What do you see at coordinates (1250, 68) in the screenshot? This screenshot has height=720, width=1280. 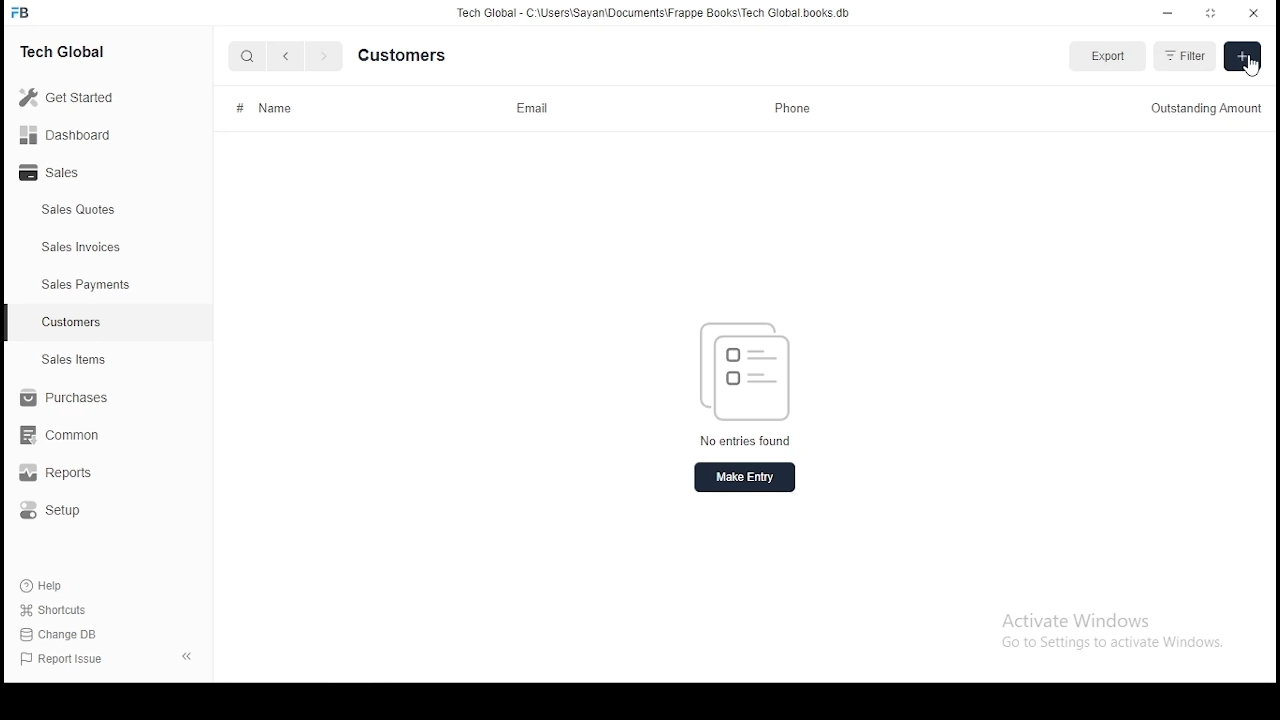 I see `mouse pointer` at bounding box center [1250, 68].